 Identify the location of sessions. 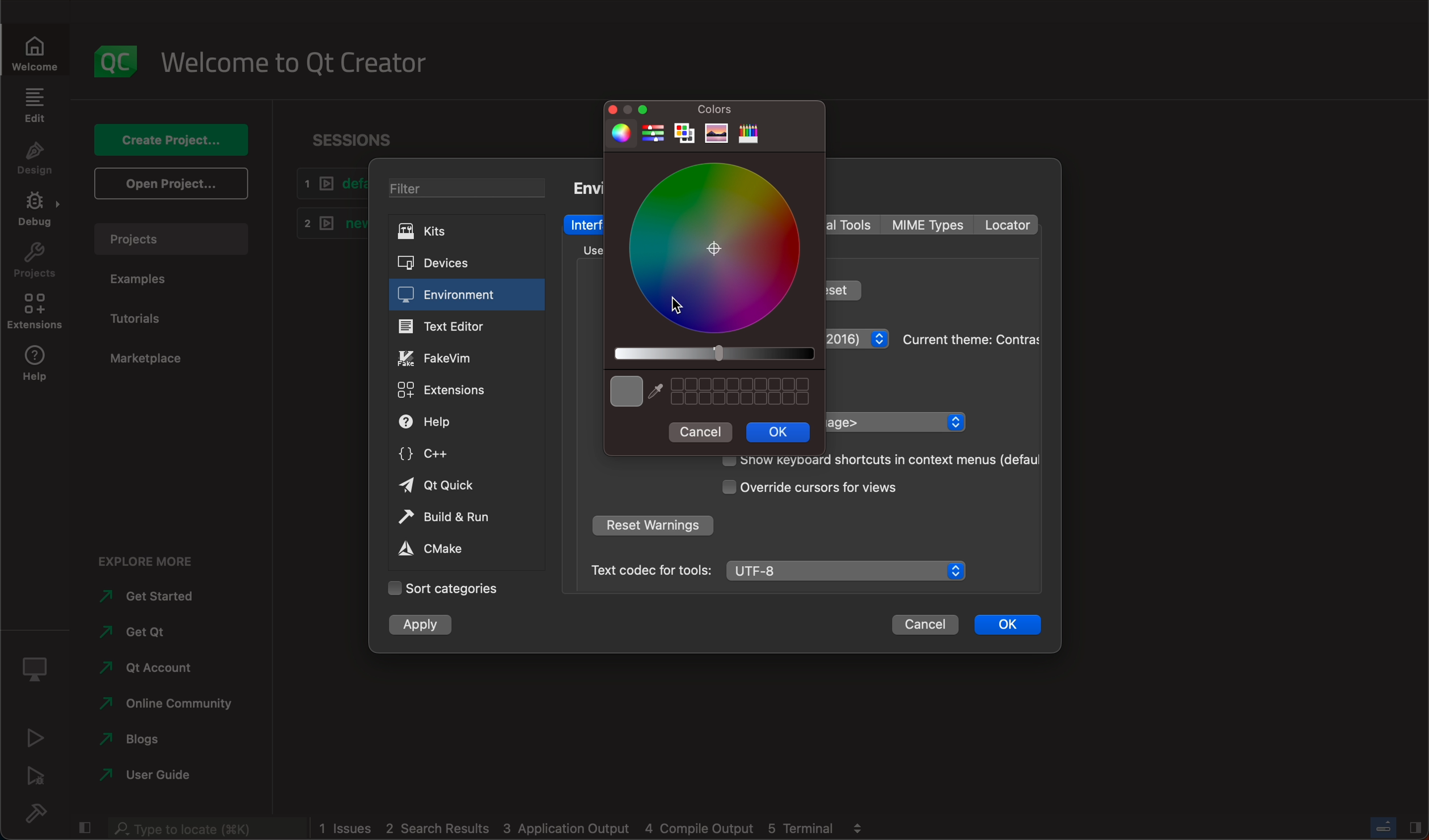
(352, 134).